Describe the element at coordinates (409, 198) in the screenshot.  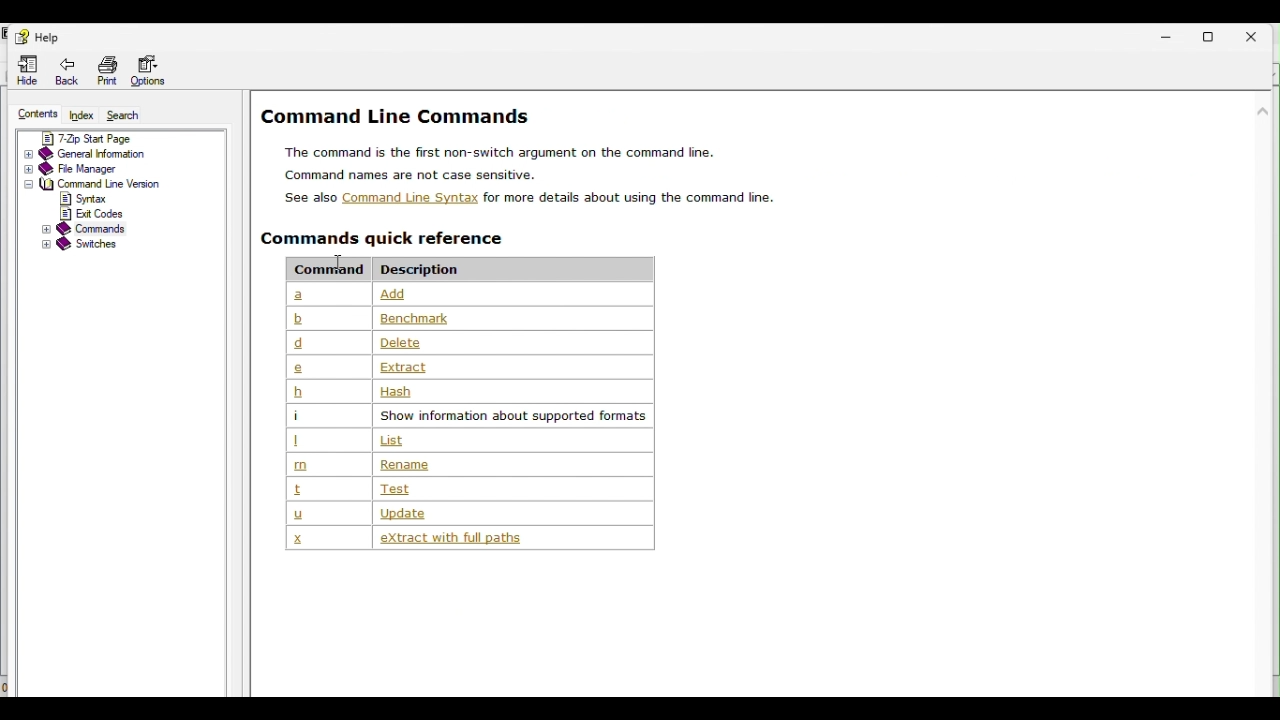
I see `hyperlink` at that location.